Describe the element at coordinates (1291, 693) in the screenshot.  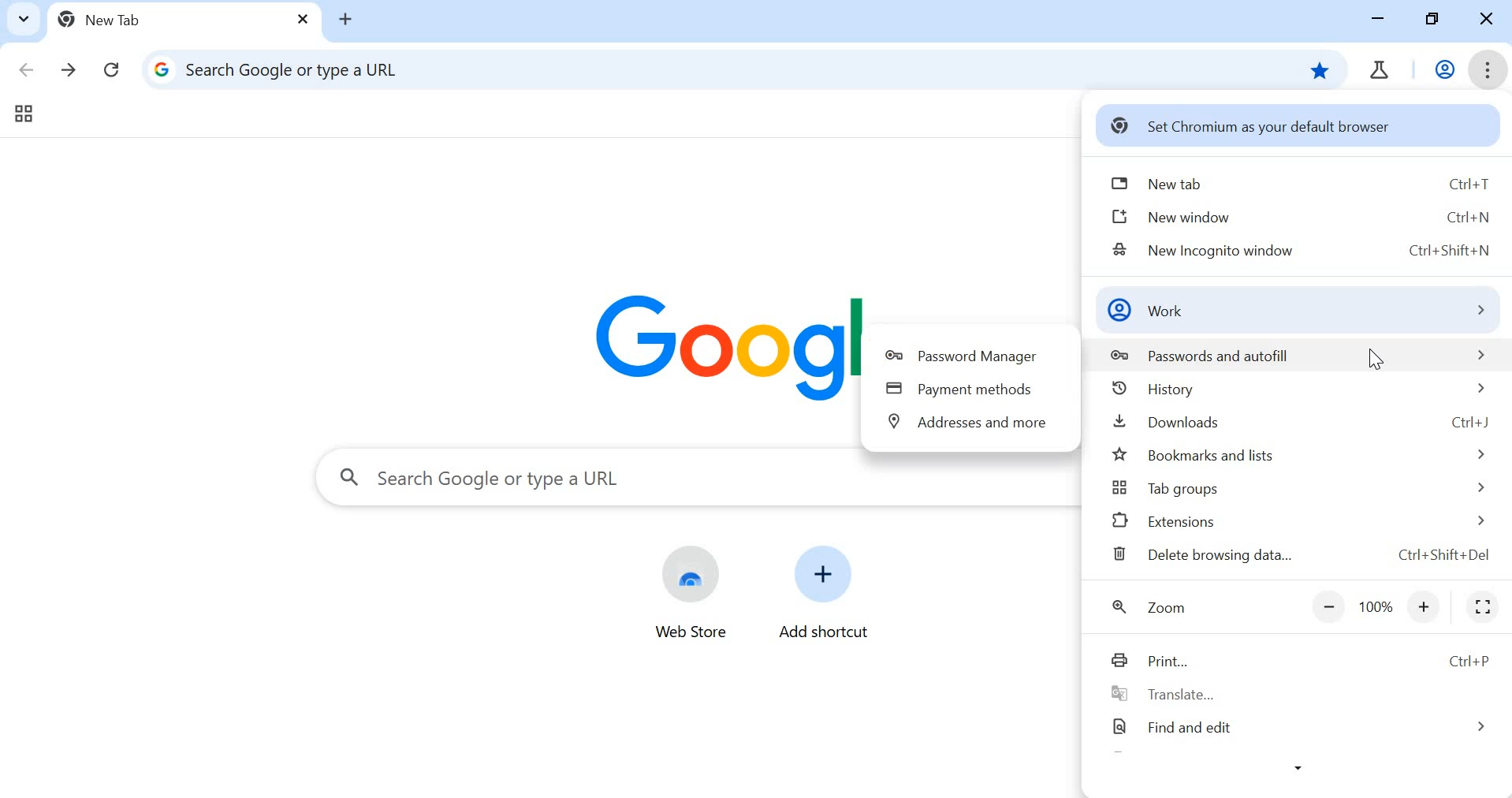
I see `translate` at that location.